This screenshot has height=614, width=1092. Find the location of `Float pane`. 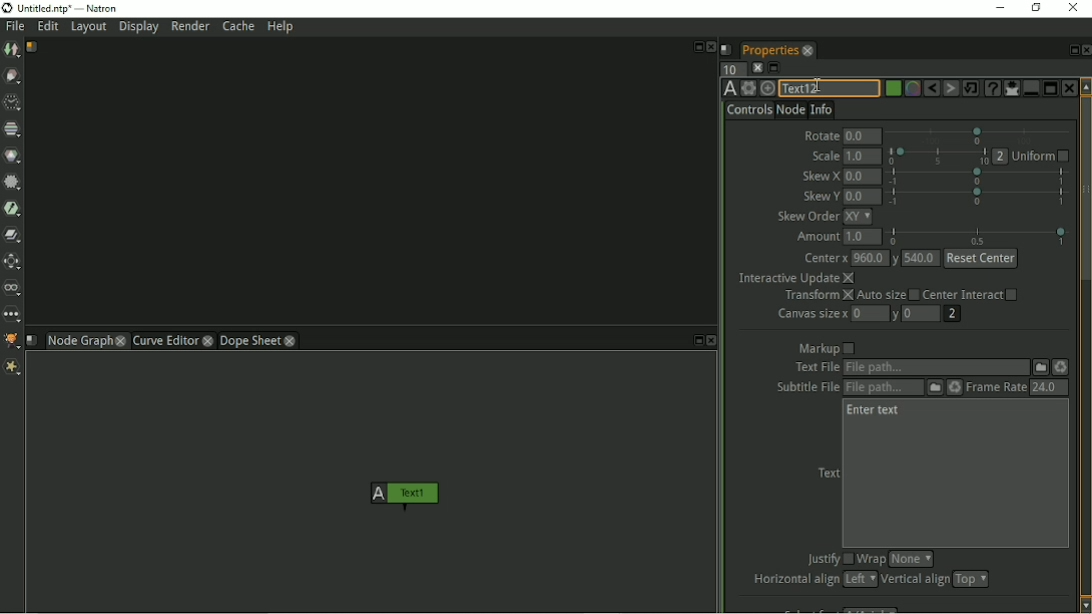

Float pane is located at coordinates (1071, 50).